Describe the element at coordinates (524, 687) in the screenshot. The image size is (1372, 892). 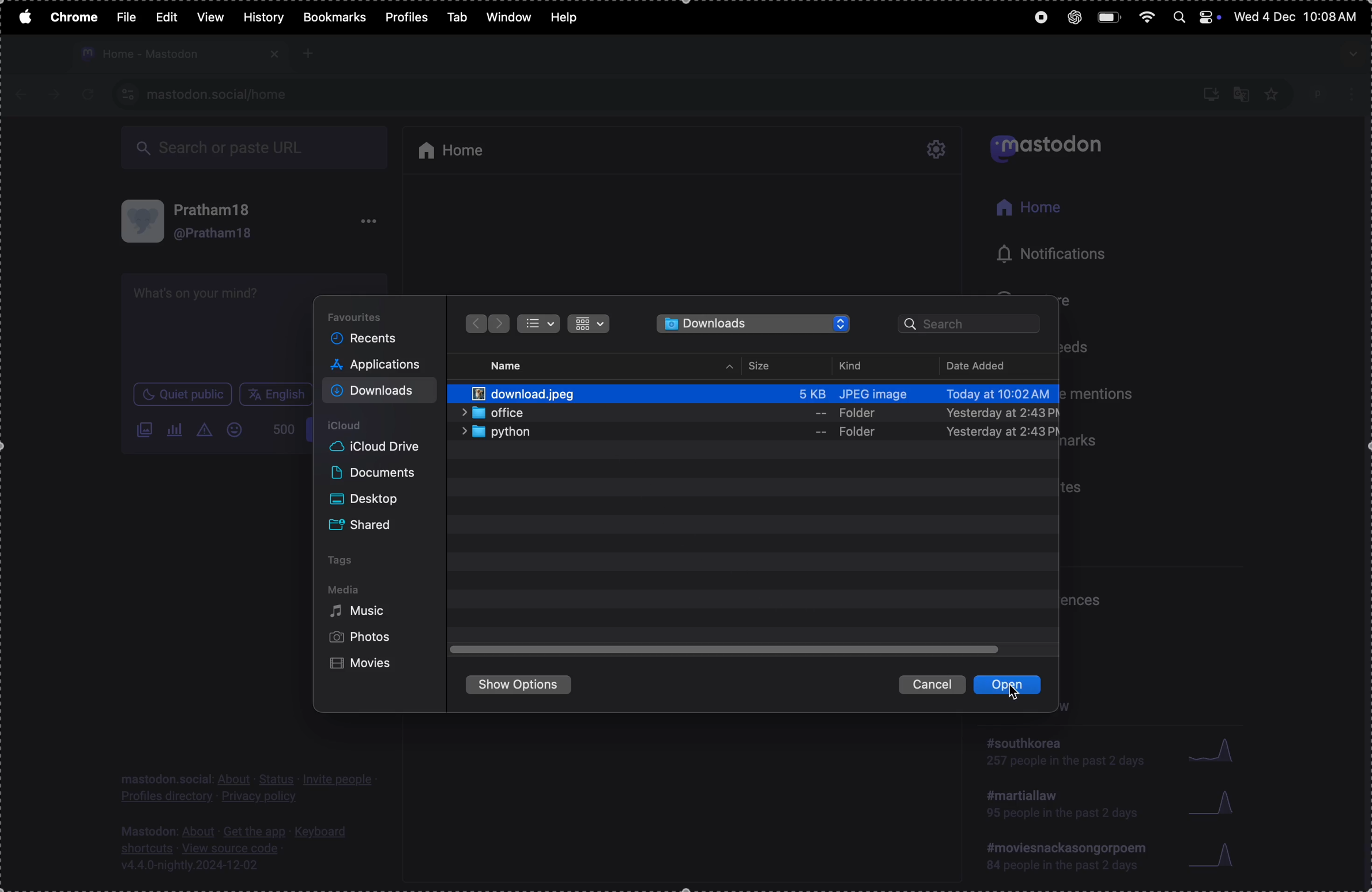
I see `show options` at that location.